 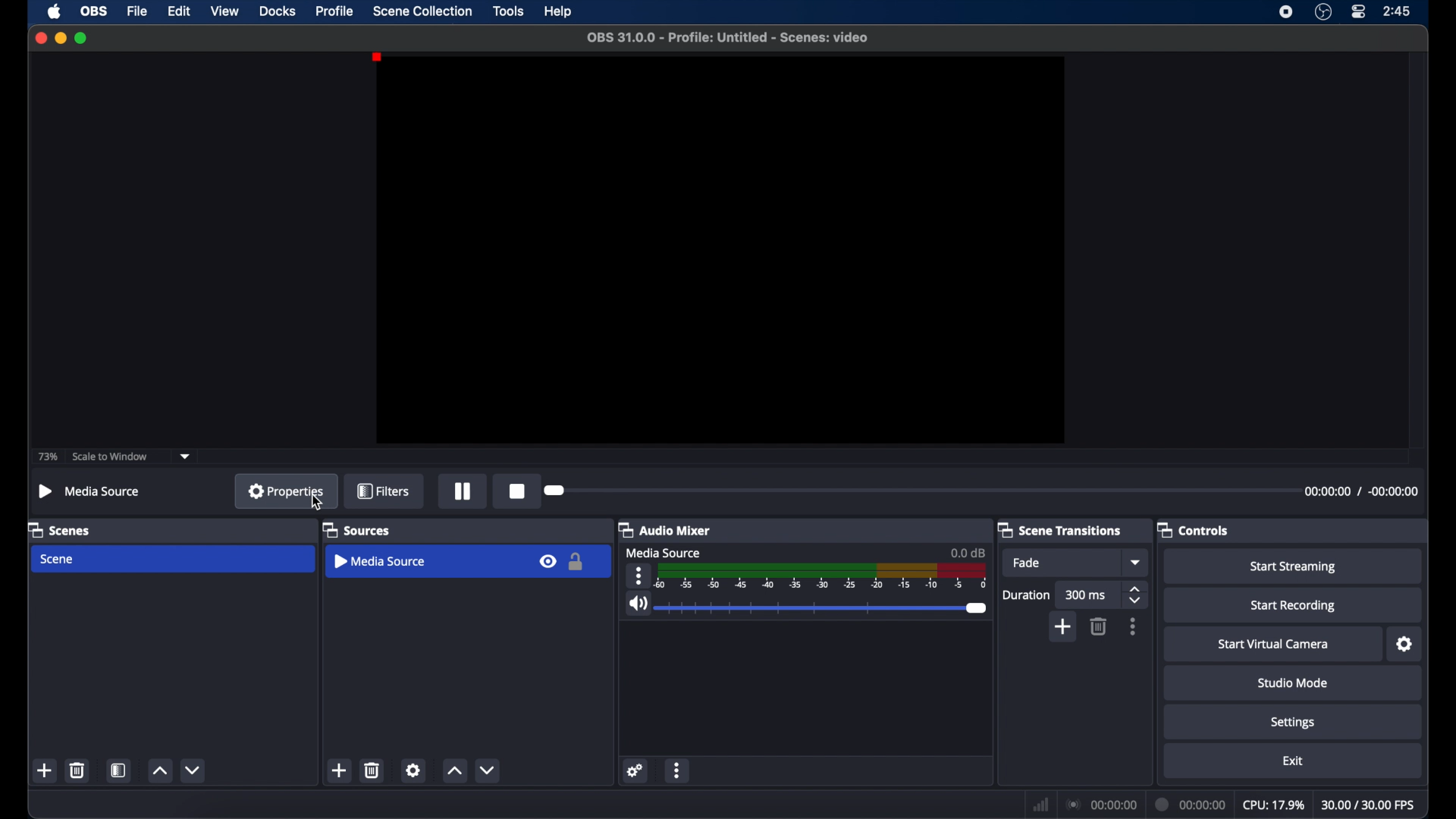 What do you see at coordinates (373, 770) in the screenshot?
I see `delete` at bounding box center [373, 770].